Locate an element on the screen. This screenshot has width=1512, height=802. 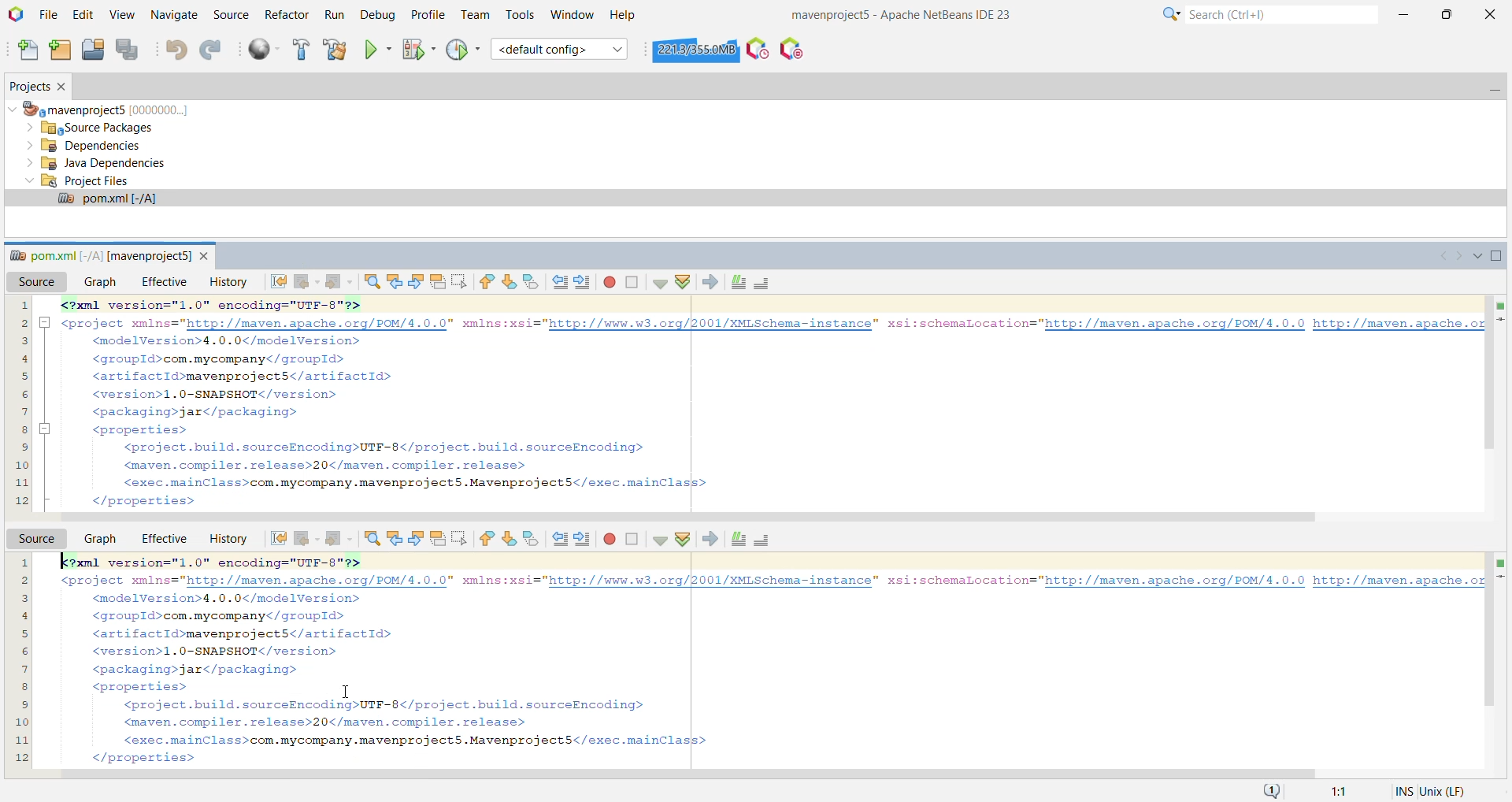
Next bookmark is located at coordinates (510, 283).